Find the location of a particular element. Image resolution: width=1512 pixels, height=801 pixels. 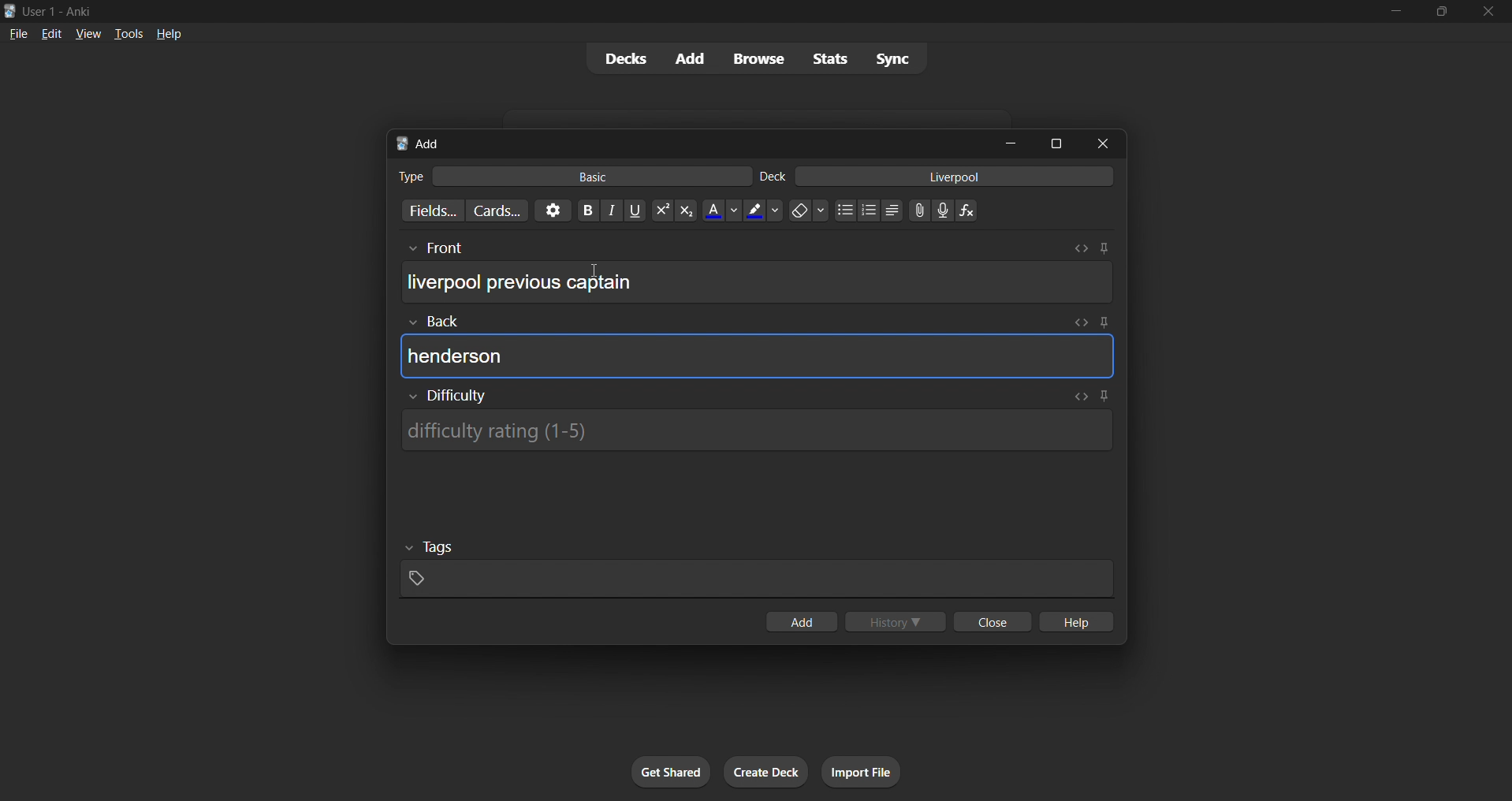

maximize is located at coordinates (1057, 142).